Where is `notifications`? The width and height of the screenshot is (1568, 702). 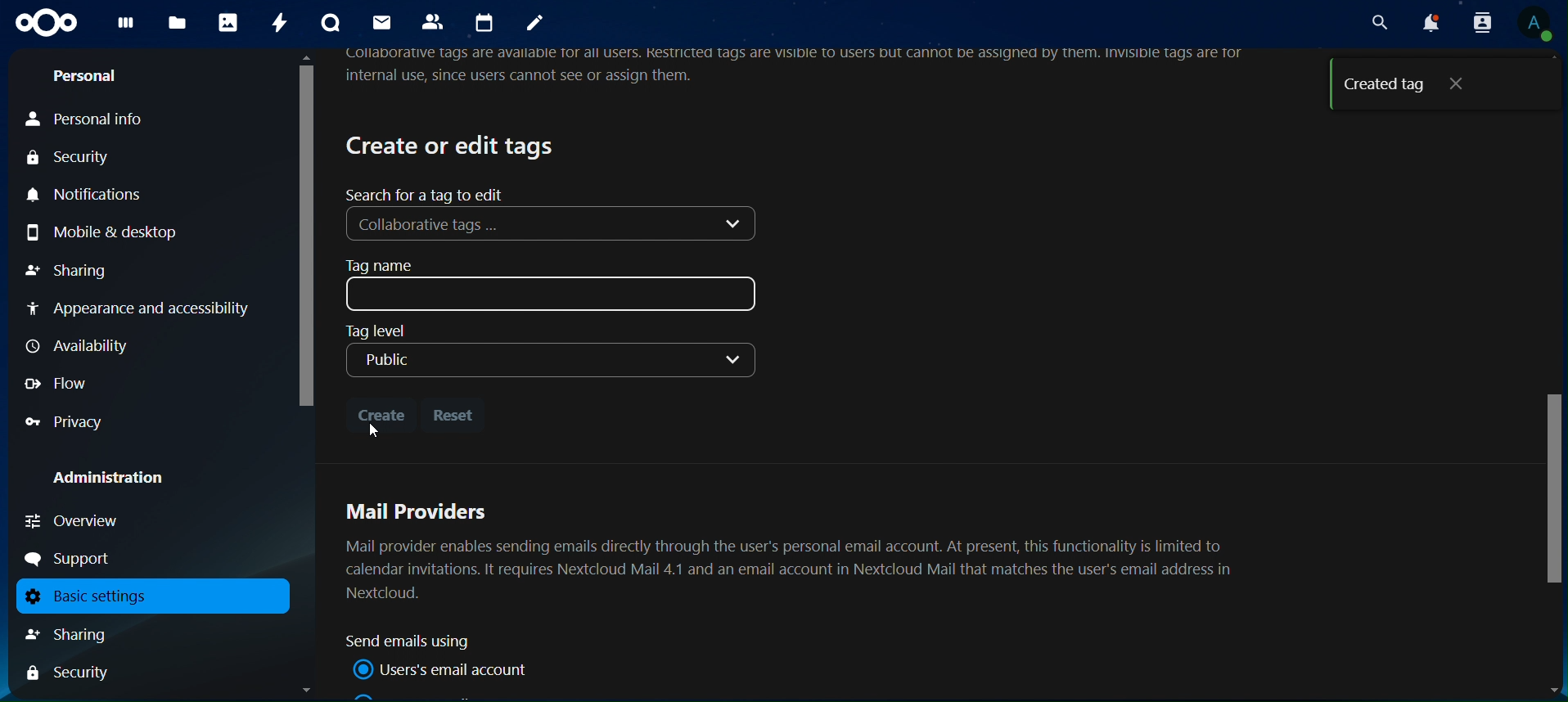 notifications is located at coordinates (1428, 23).